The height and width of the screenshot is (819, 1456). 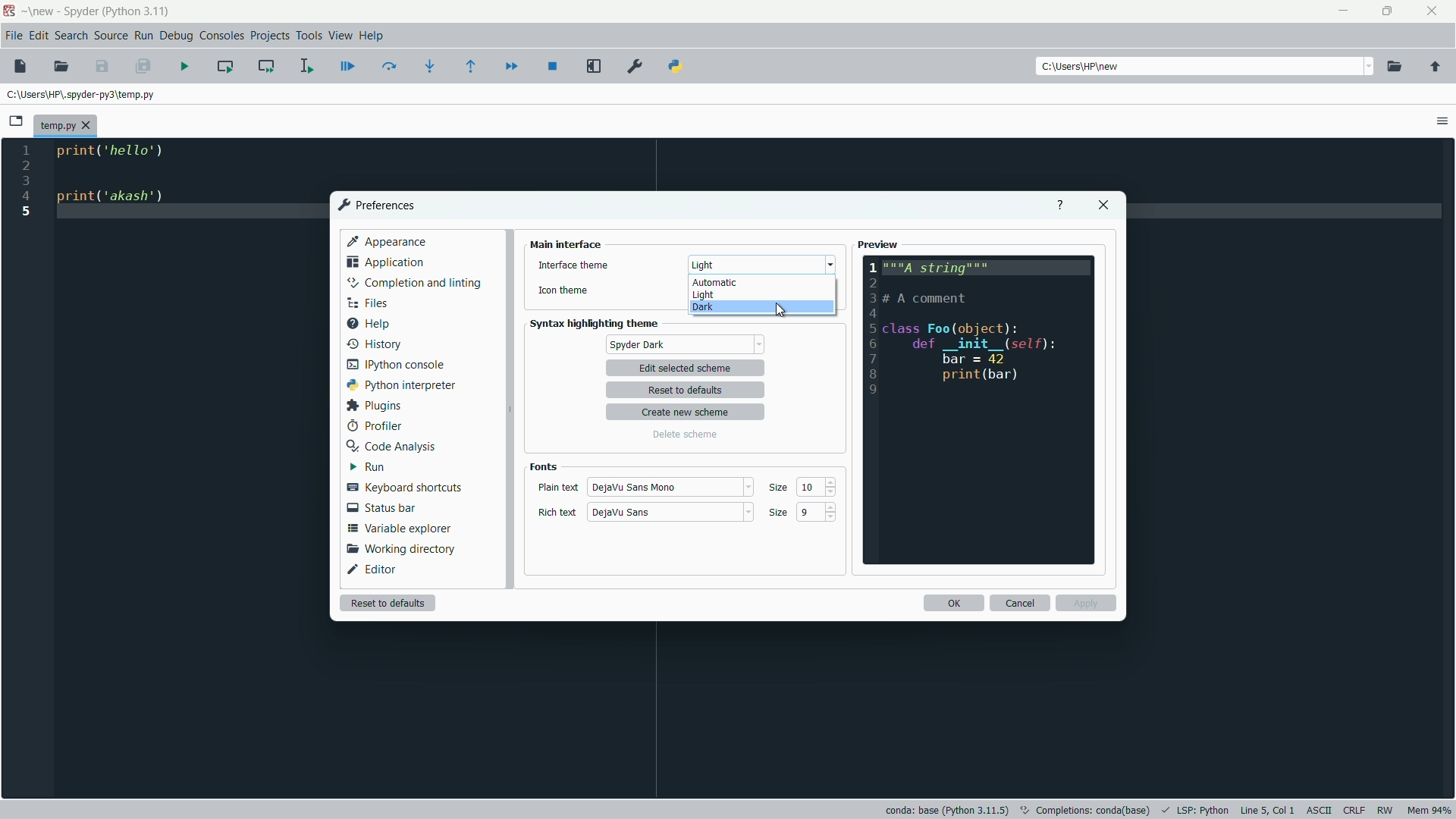 I want to click on files, so click(x=366, y=303).